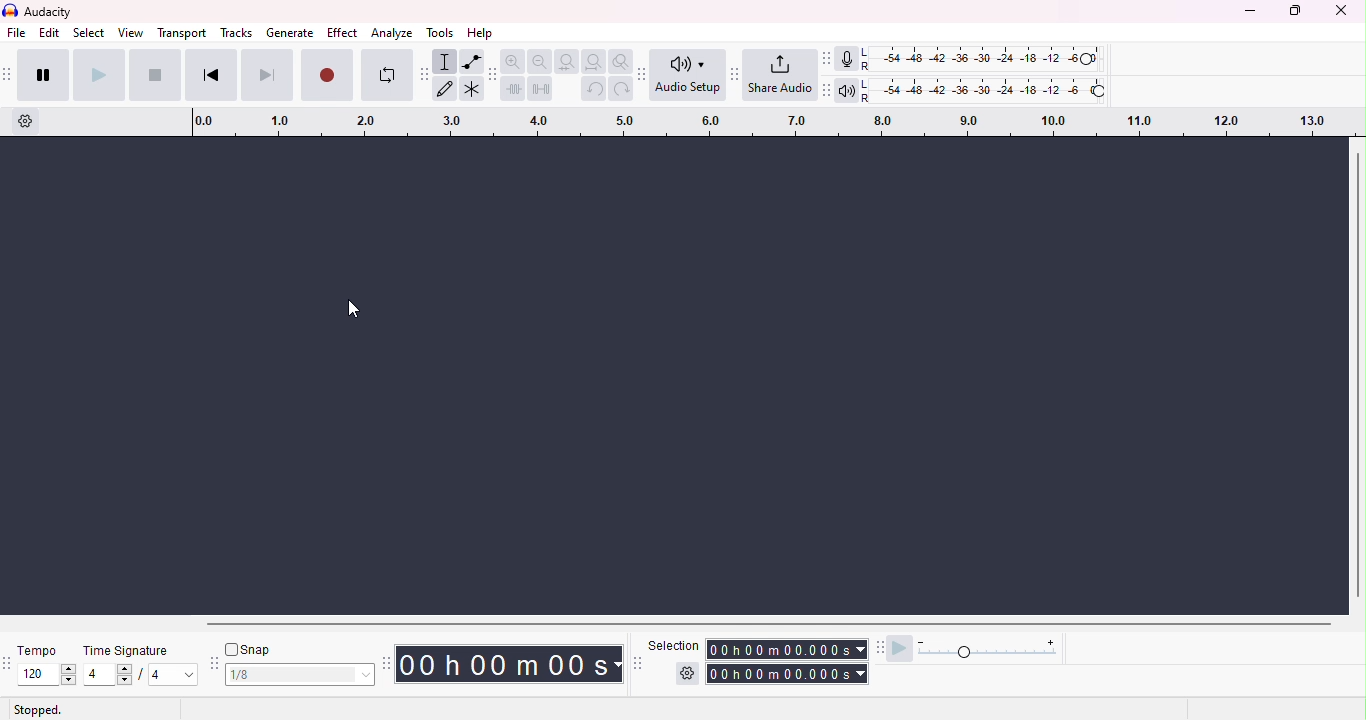 The height and width of the screenshot is (720, 1366). Describe the element at coordinates (447, 61) in the screenshot. I see `selection` at that location.